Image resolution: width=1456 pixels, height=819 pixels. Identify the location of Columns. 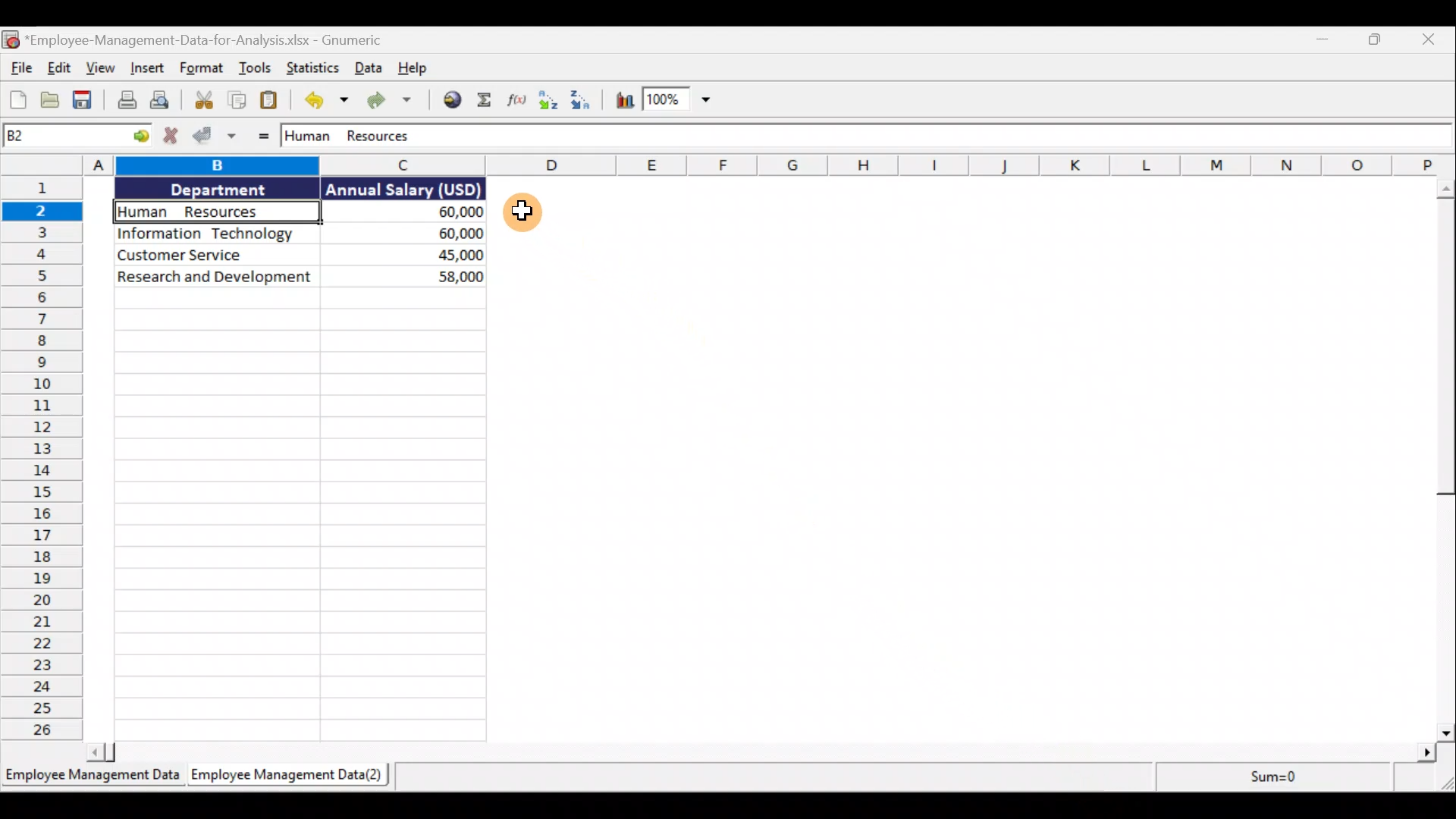
(724, 164).